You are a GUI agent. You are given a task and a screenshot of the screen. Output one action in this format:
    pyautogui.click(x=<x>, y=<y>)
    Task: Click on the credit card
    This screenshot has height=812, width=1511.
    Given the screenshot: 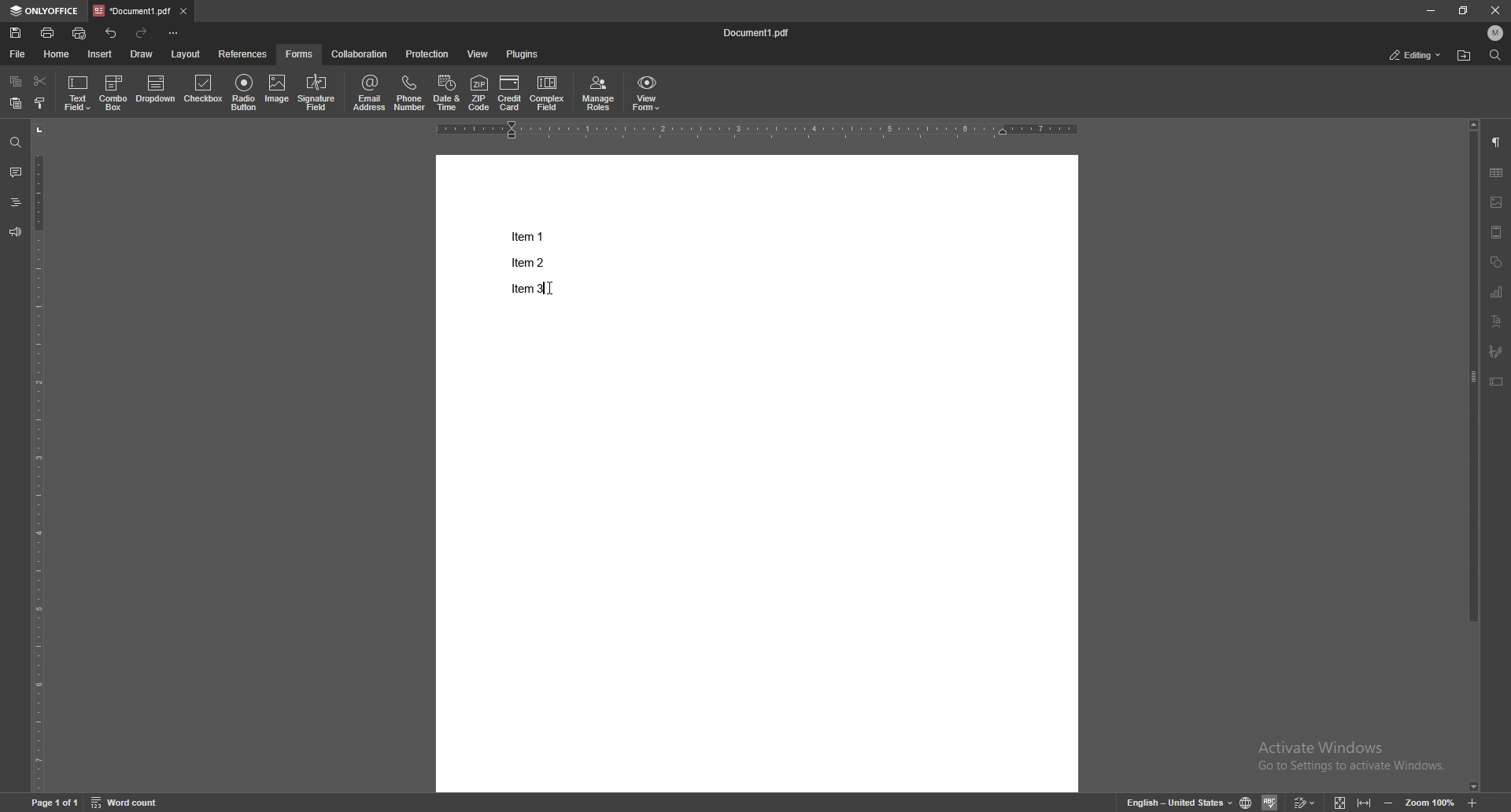 What is the action you would take?
    pyautogui.click(x=512, y=94)
    